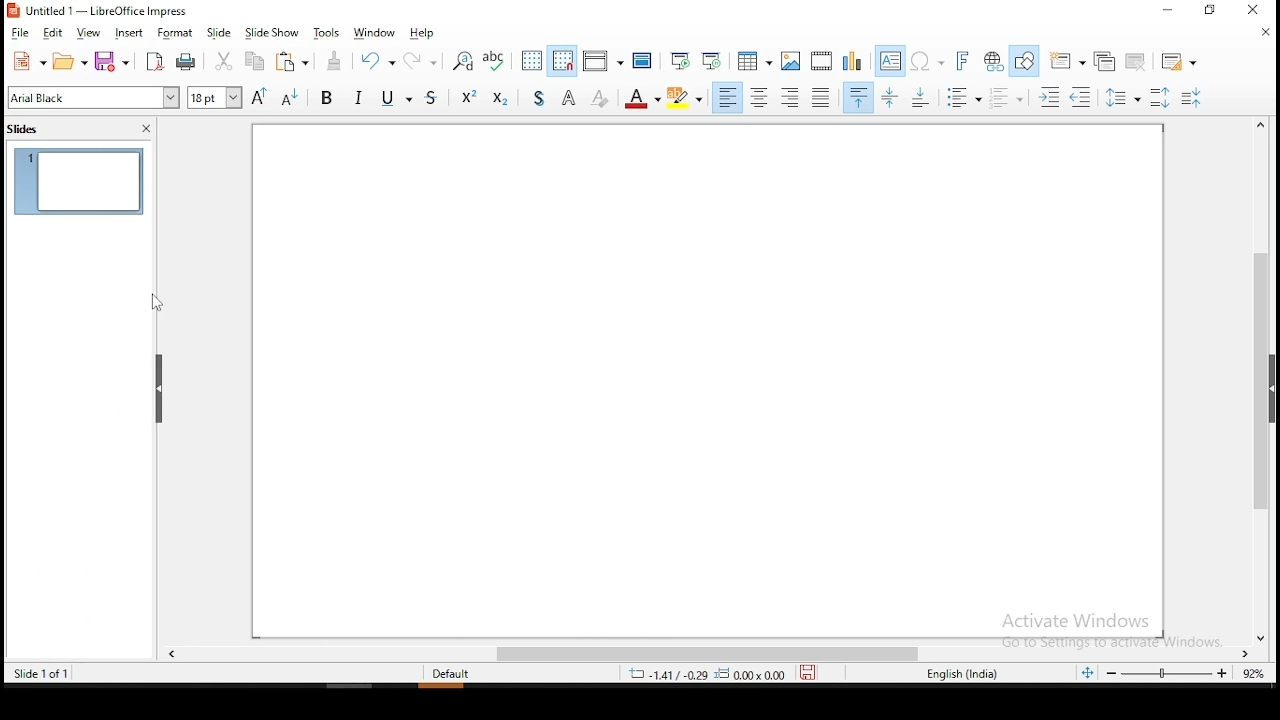  I want to click on file, so click(23, 33).